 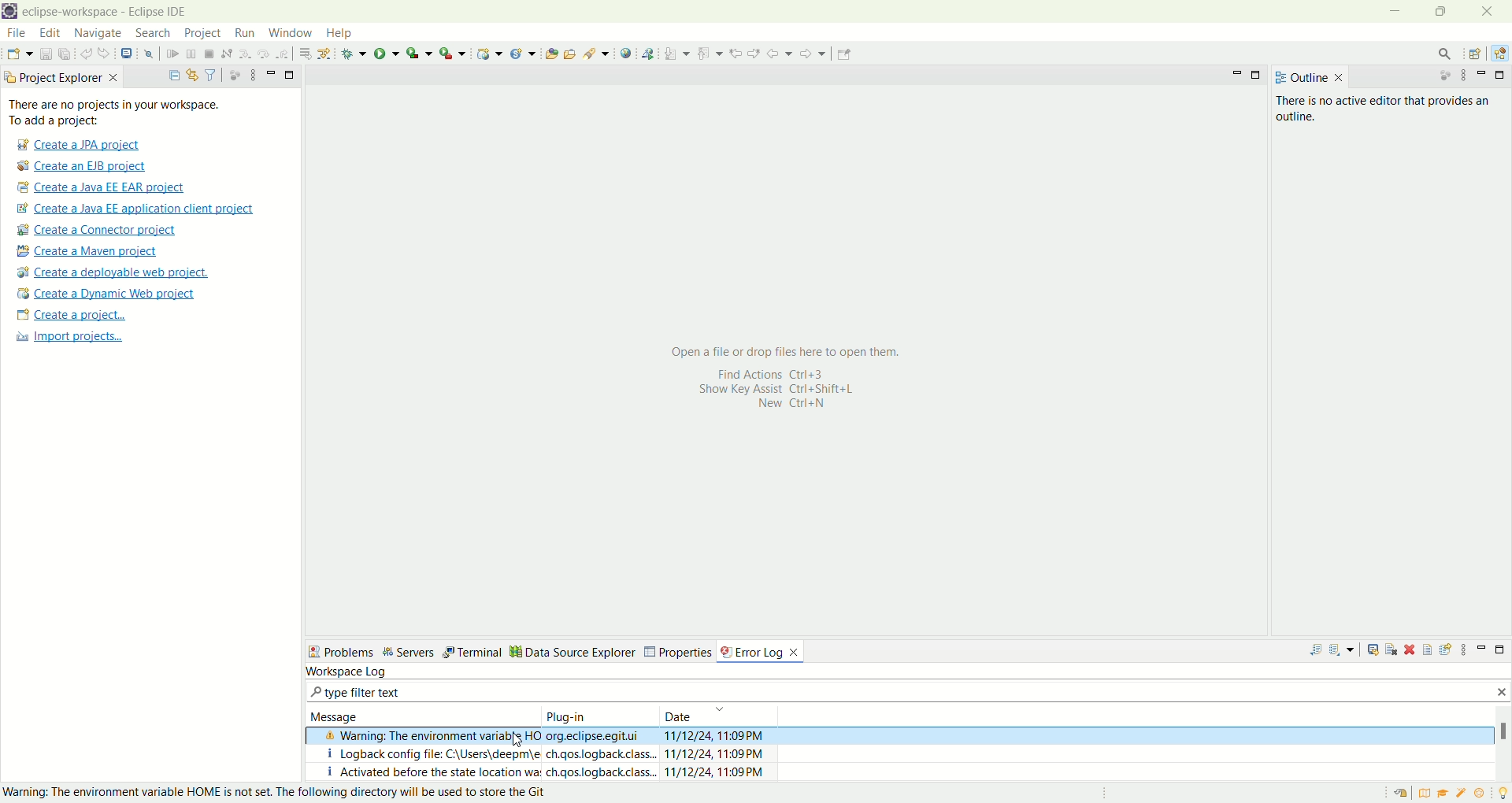 I want to click on new, so click(x=18, y=54).